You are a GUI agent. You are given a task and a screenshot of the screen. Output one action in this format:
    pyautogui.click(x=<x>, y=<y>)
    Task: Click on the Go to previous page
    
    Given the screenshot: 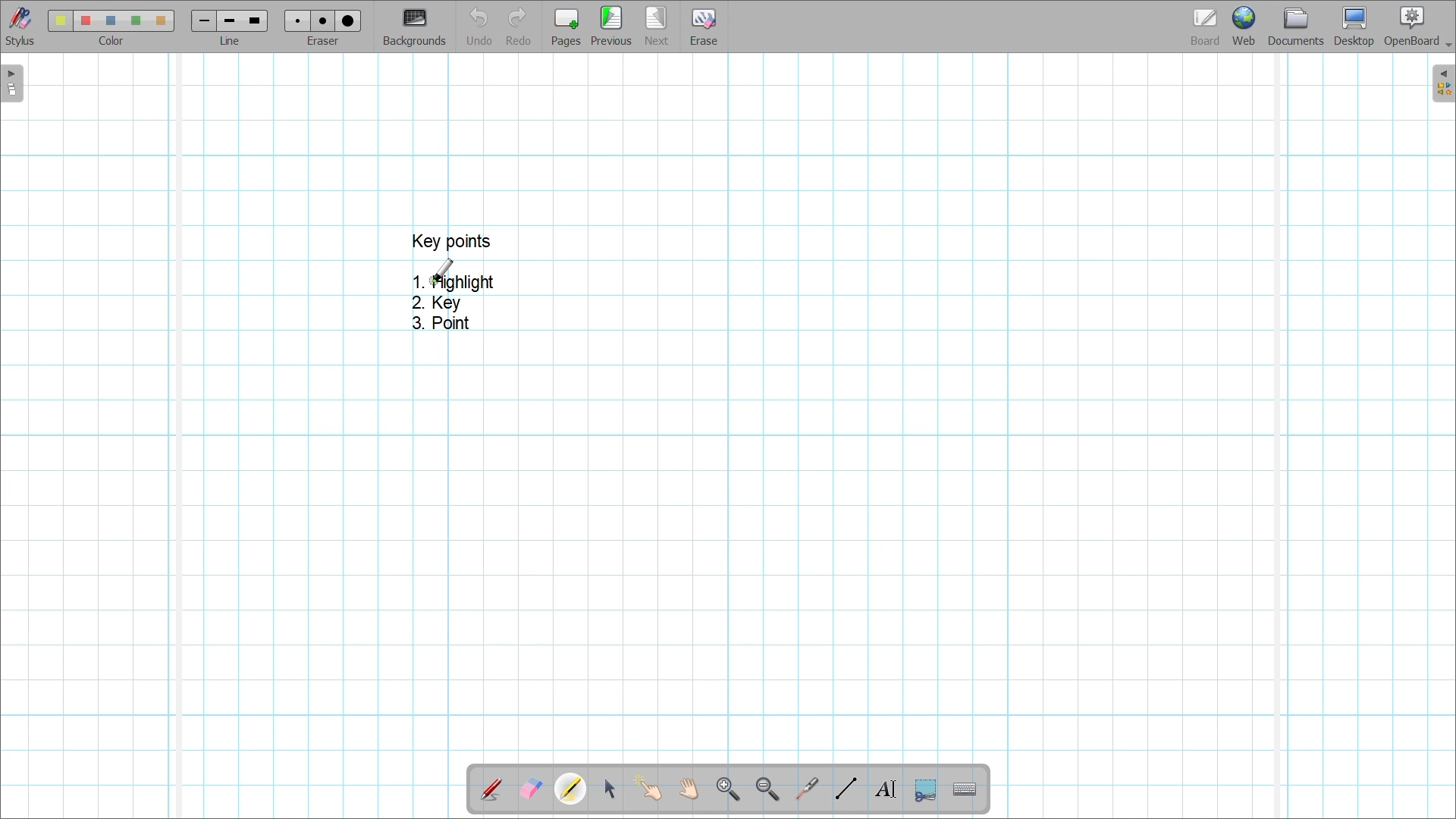 What is the action you would take?
    pyautogui.click(x=611, y=26)
    